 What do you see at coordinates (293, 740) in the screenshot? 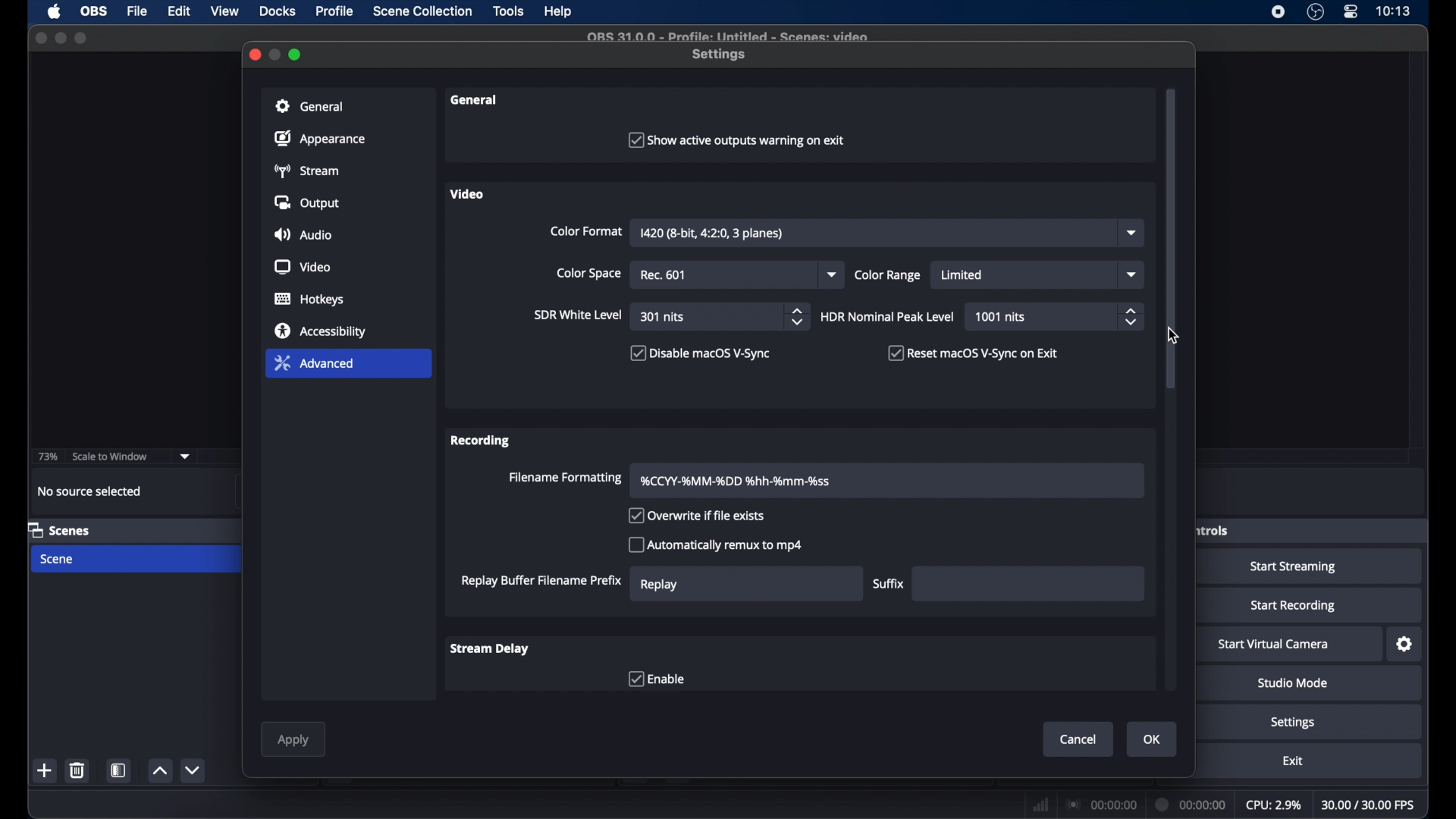
I see `apply ` at bounding box center [293, 740].